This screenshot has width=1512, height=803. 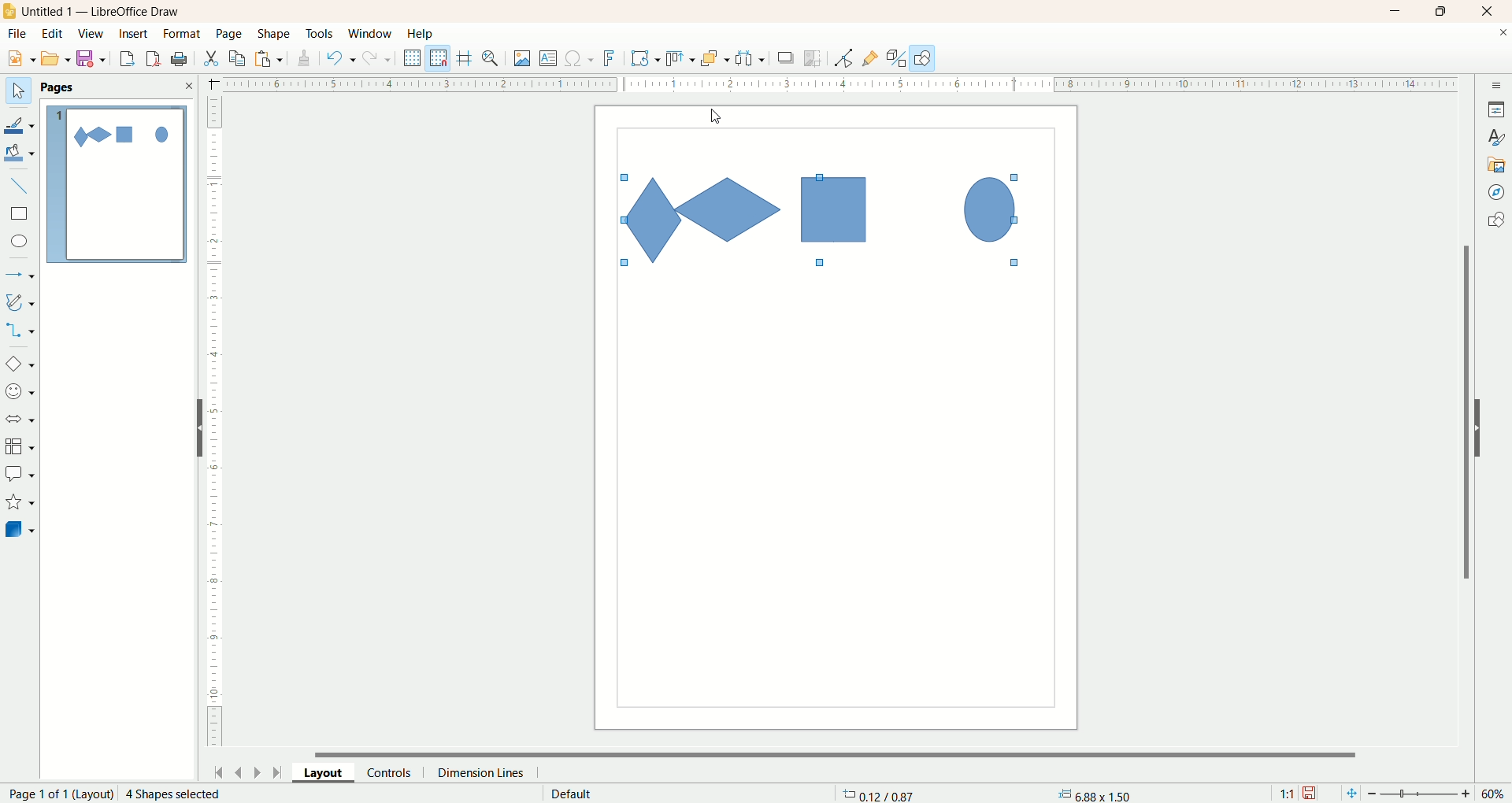 What do you see at coordinates (1421, 794) in the screenshot?
I see `zoom factor` at bounding box center [1421, 794].